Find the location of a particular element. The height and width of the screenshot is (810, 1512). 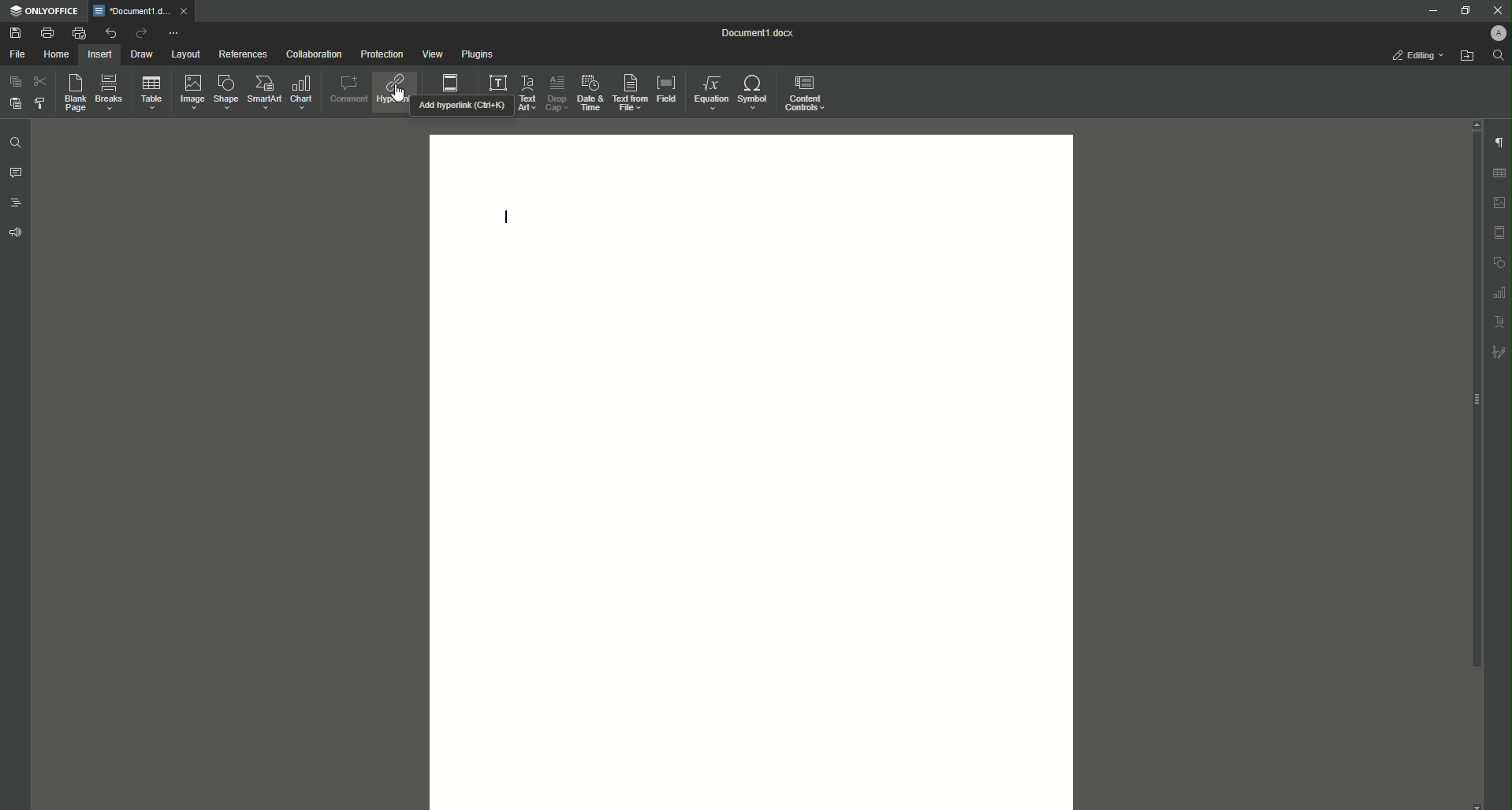

Header & footer settings is located at coordinates (1501, 233).